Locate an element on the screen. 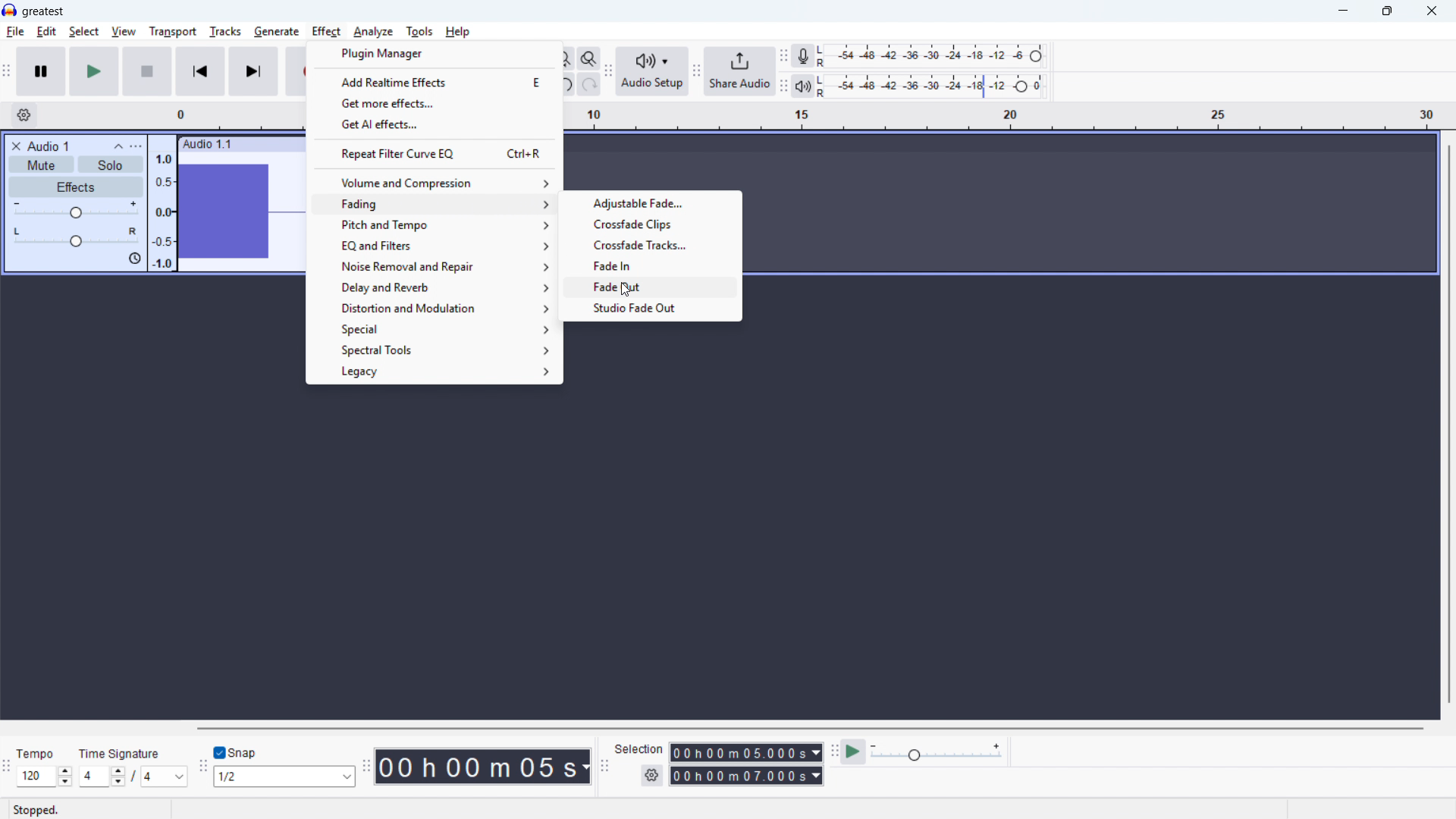 The width and height of the screenshot is (1456, 819). tools is located at coordinates (419, 32).